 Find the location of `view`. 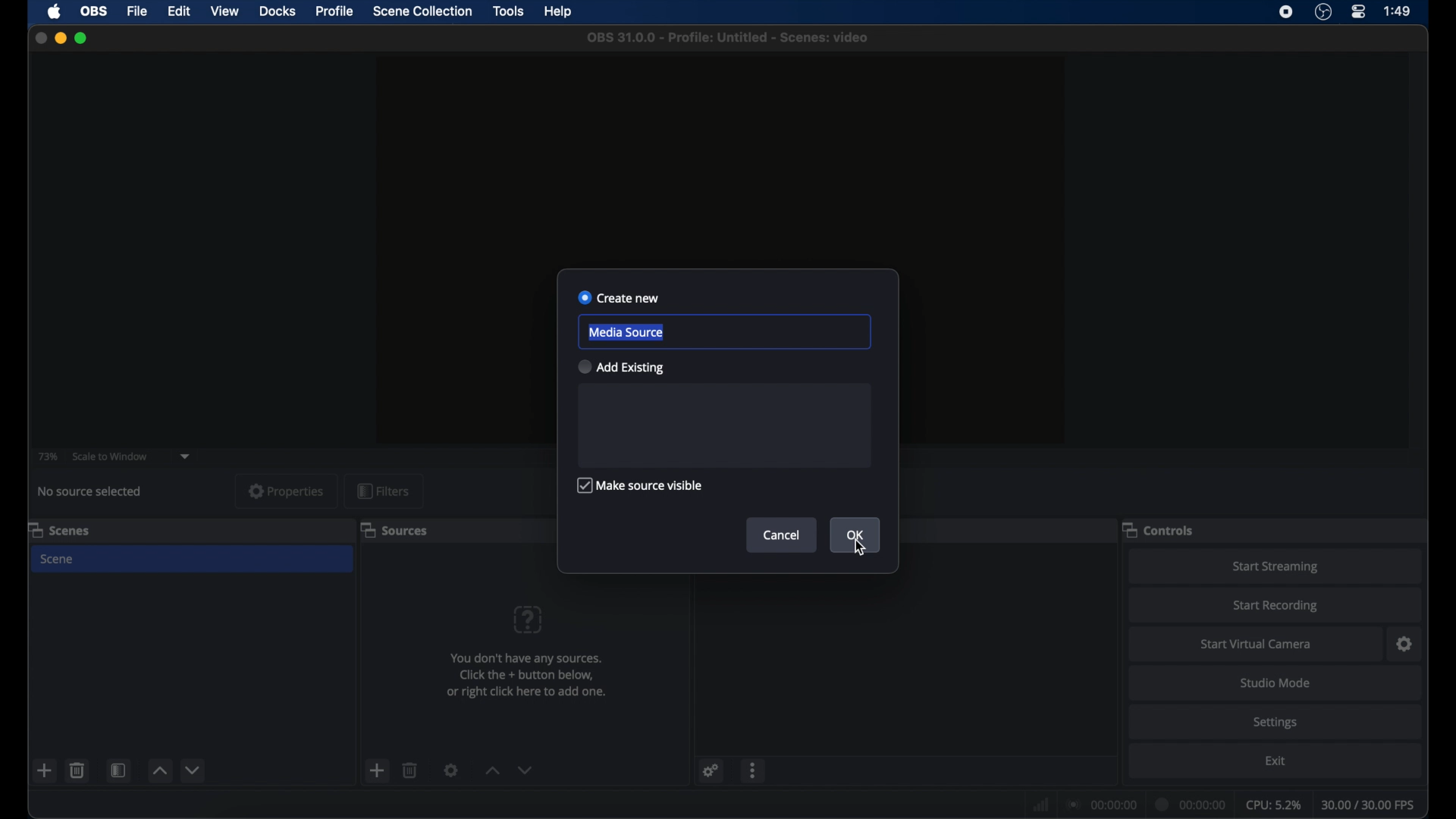

view is located at coordinates (224, 11).